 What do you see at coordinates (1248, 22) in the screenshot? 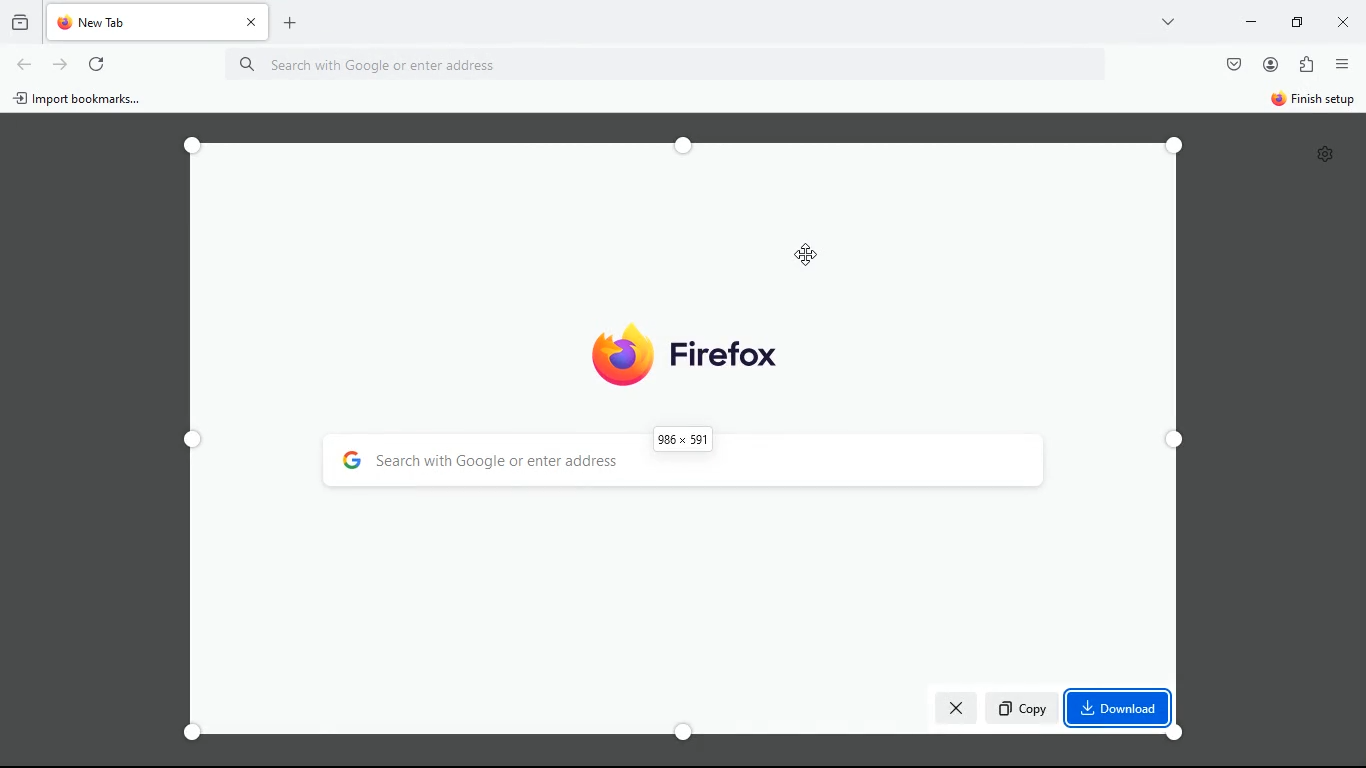
I see `minimize` at bounding box center [1248, 22].